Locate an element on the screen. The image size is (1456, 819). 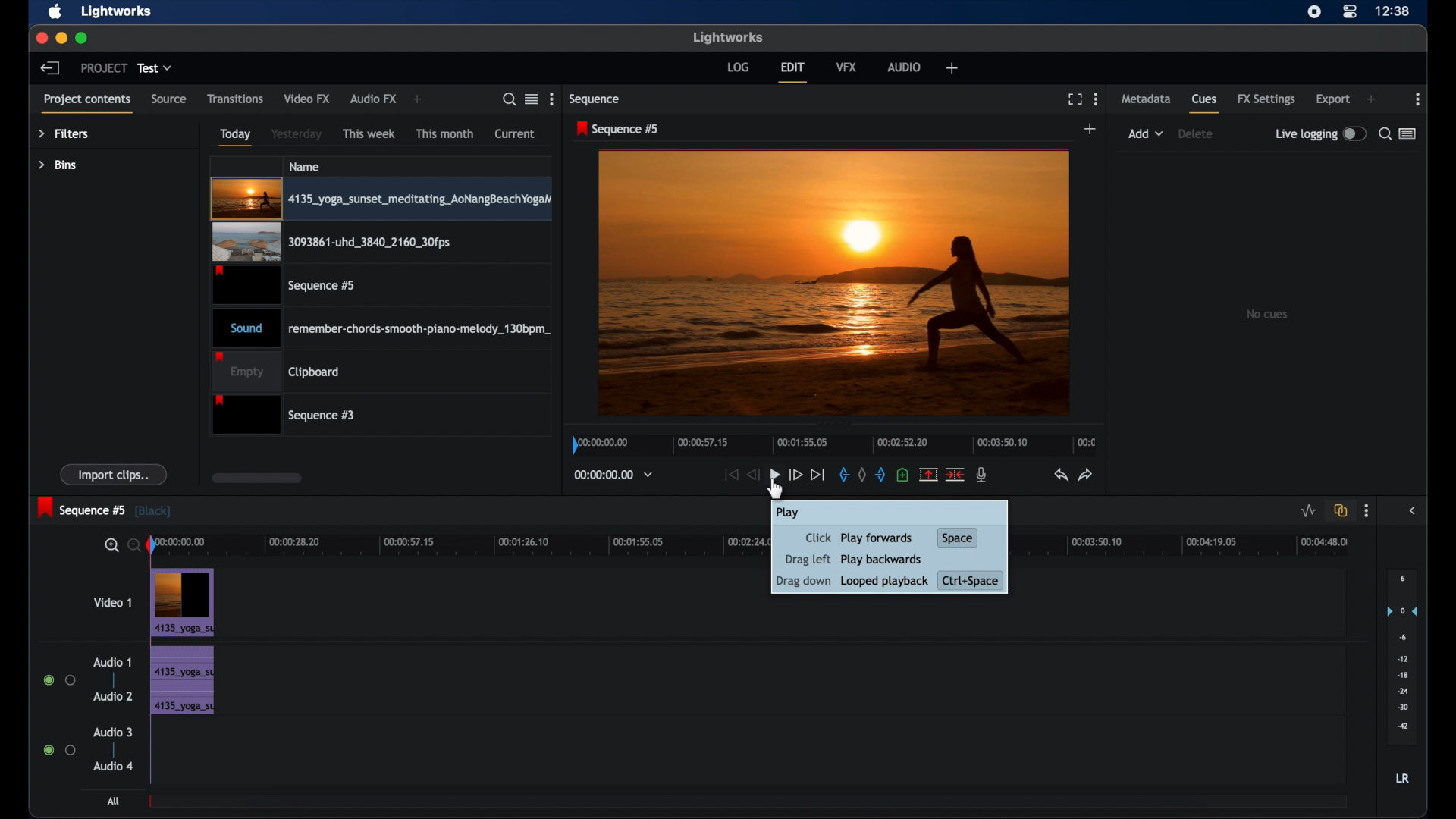
edit is located at coordinates (792, 71).